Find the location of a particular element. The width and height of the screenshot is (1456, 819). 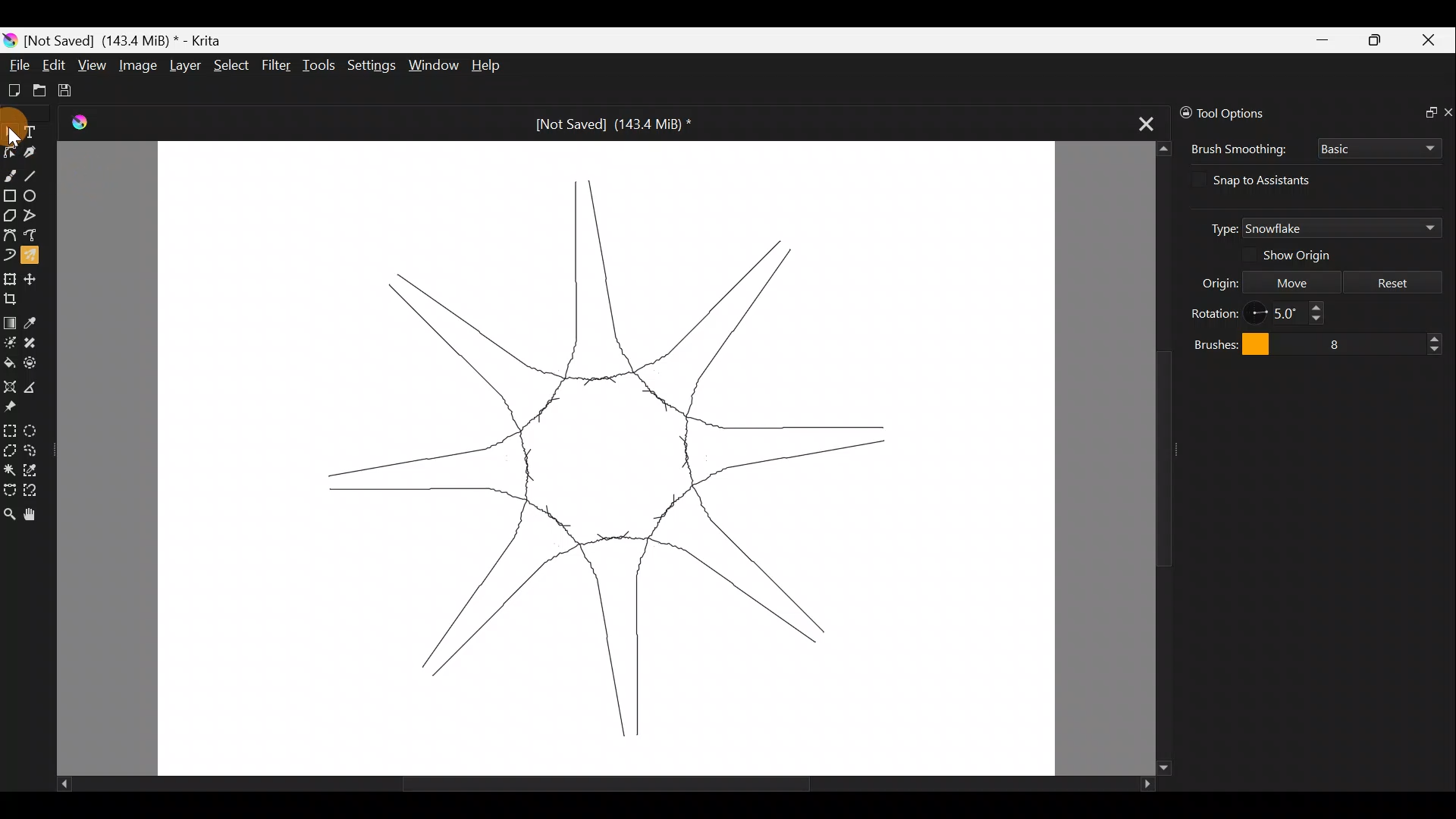

Line is located at coordinates (33, 173).